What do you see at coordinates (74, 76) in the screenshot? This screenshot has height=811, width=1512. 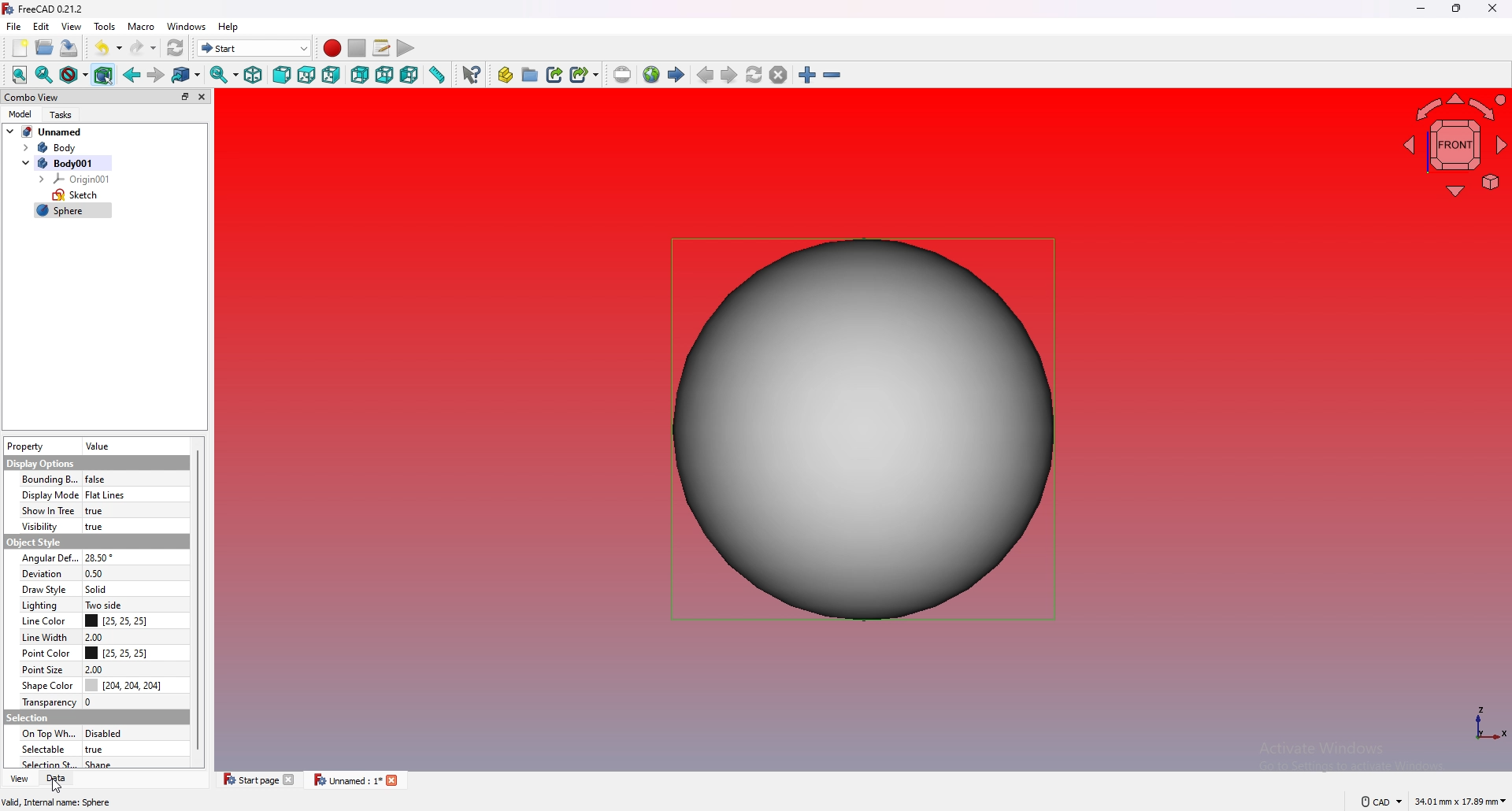 I see `draw style` at bounding box center [74, 76].